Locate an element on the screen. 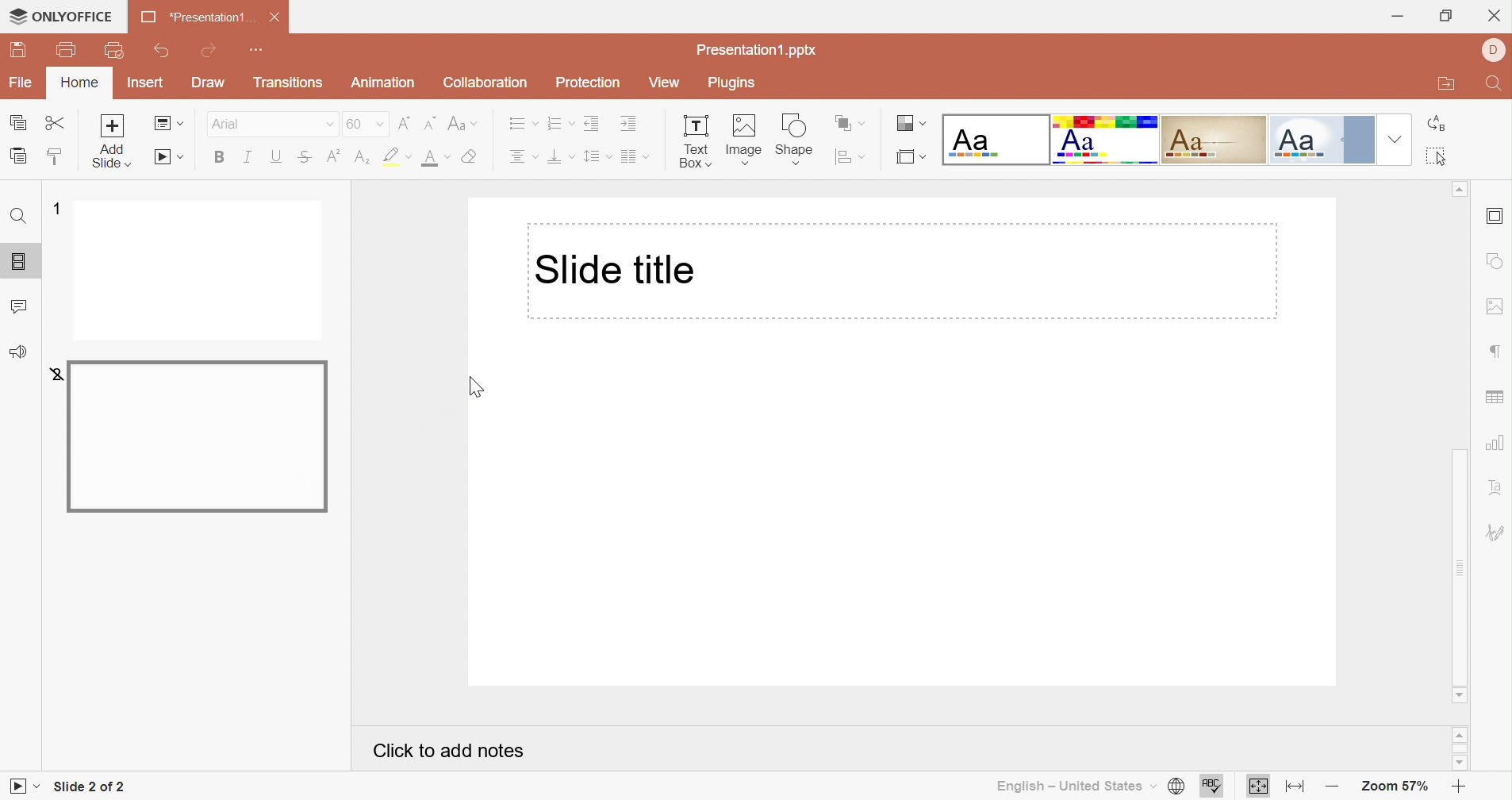 Image resolution: width=1512 pixels, height=800 pixels. File is located at coordinates (18, 83).